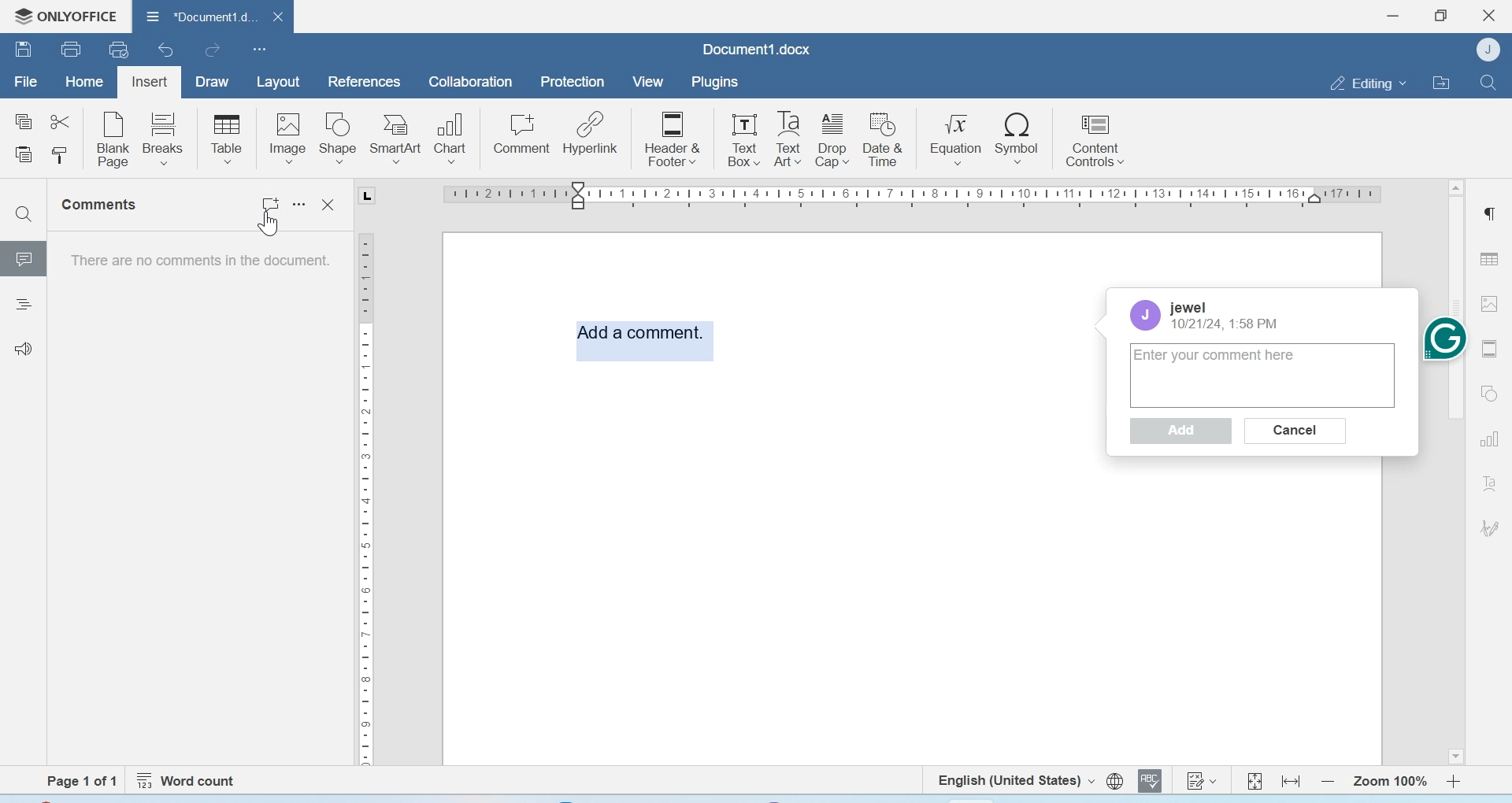 The image size is (1512, 803). I want to click on Zoom in, so click(1455, 781).